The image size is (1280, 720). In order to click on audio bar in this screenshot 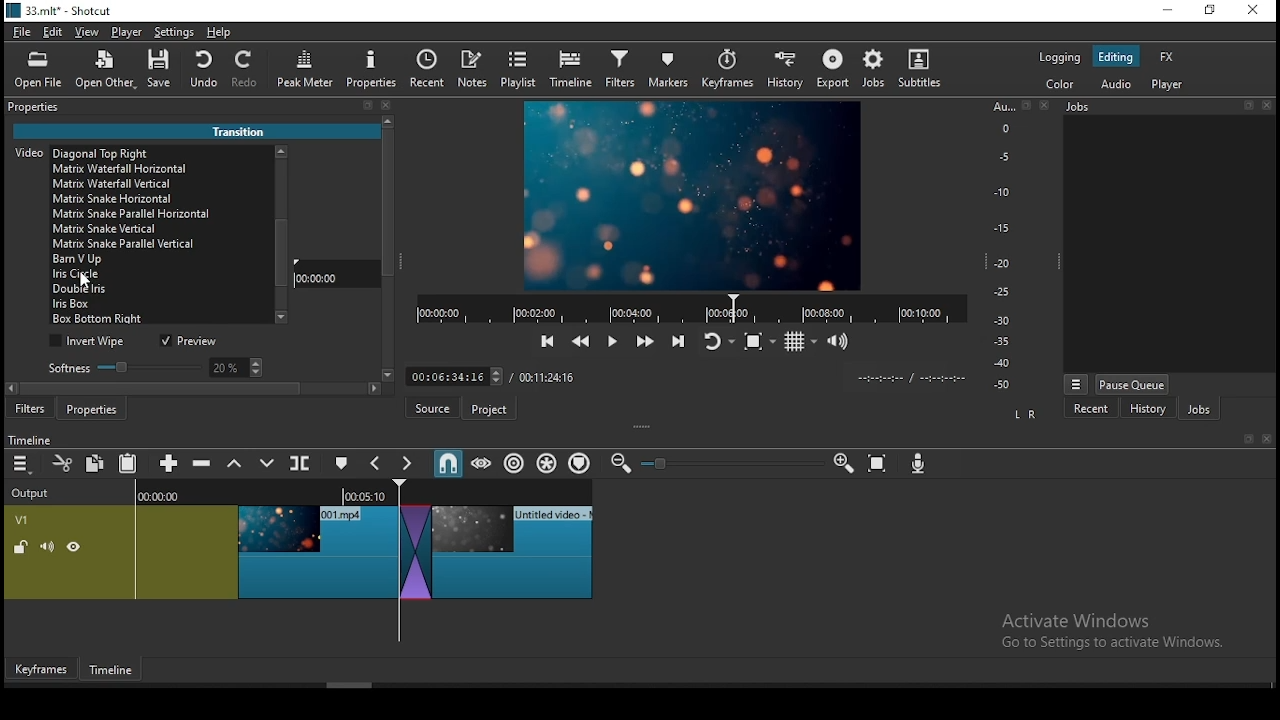, I will do `click(1002, 246)`.